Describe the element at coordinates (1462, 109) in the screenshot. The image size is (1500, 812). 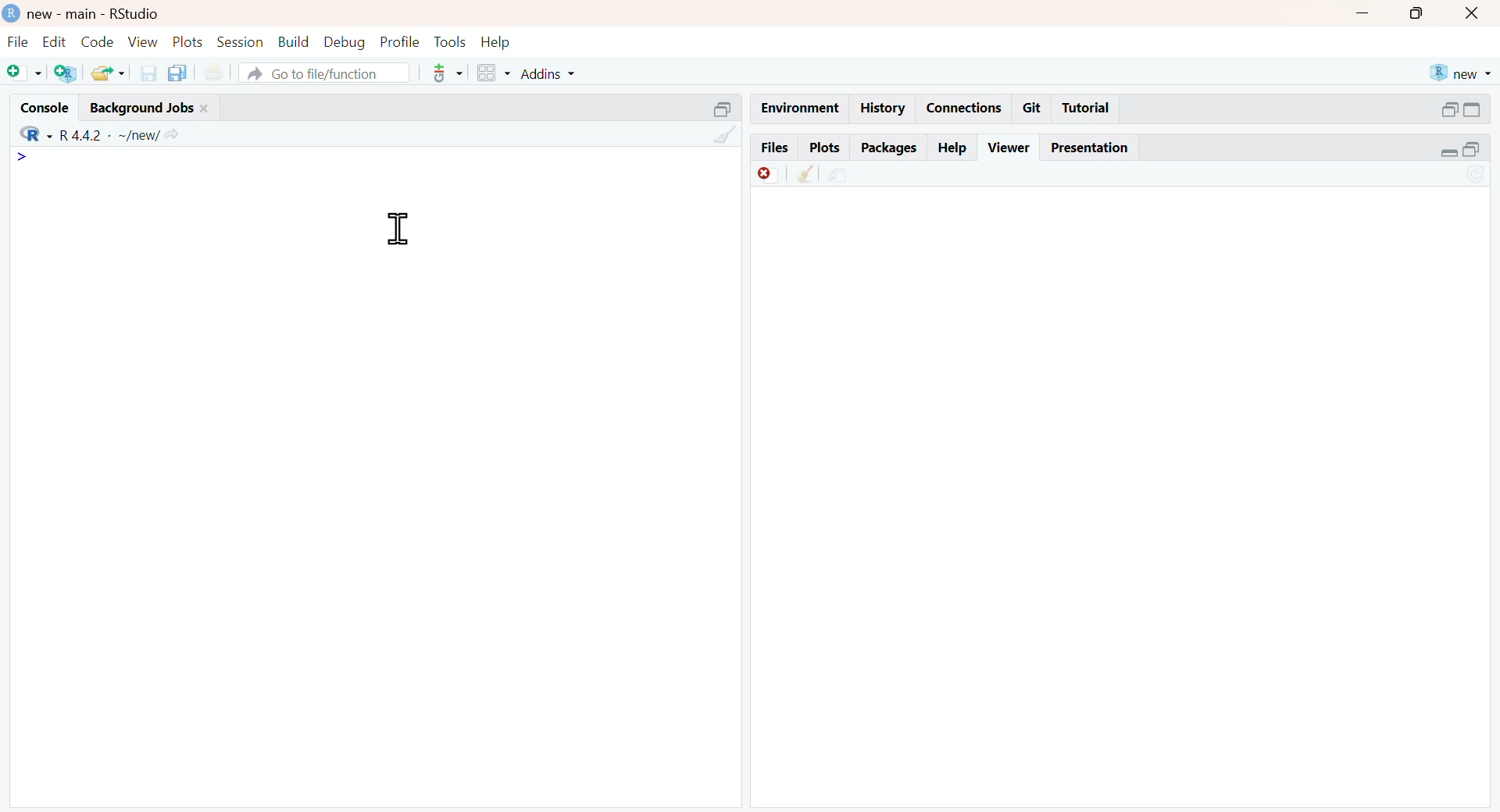
I see `minimize/maximize` at that location.